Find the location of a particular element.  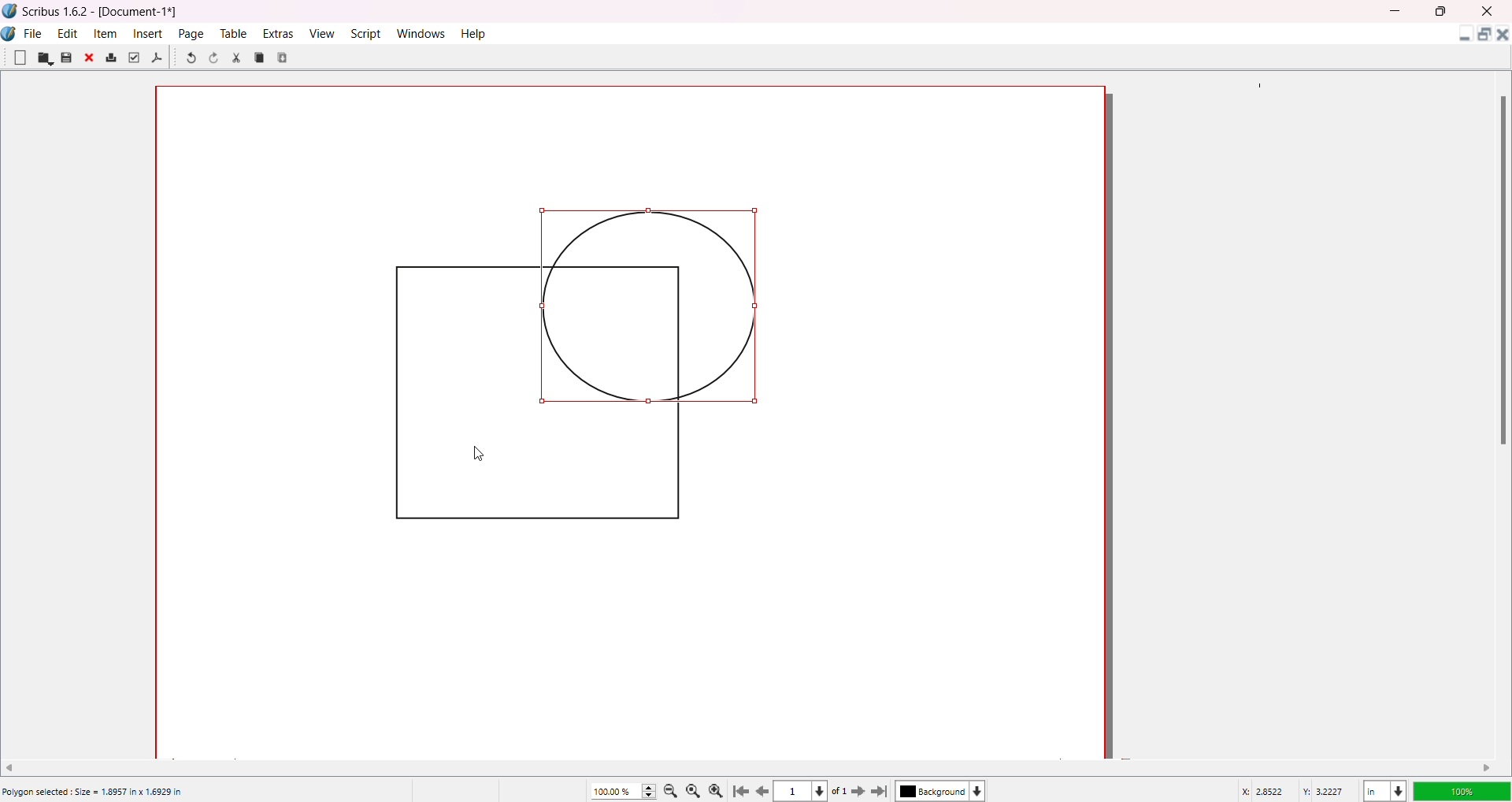

Polygon selected: Size = 1.8957 in x 1.6929 in is located at coordinates (96, 792).